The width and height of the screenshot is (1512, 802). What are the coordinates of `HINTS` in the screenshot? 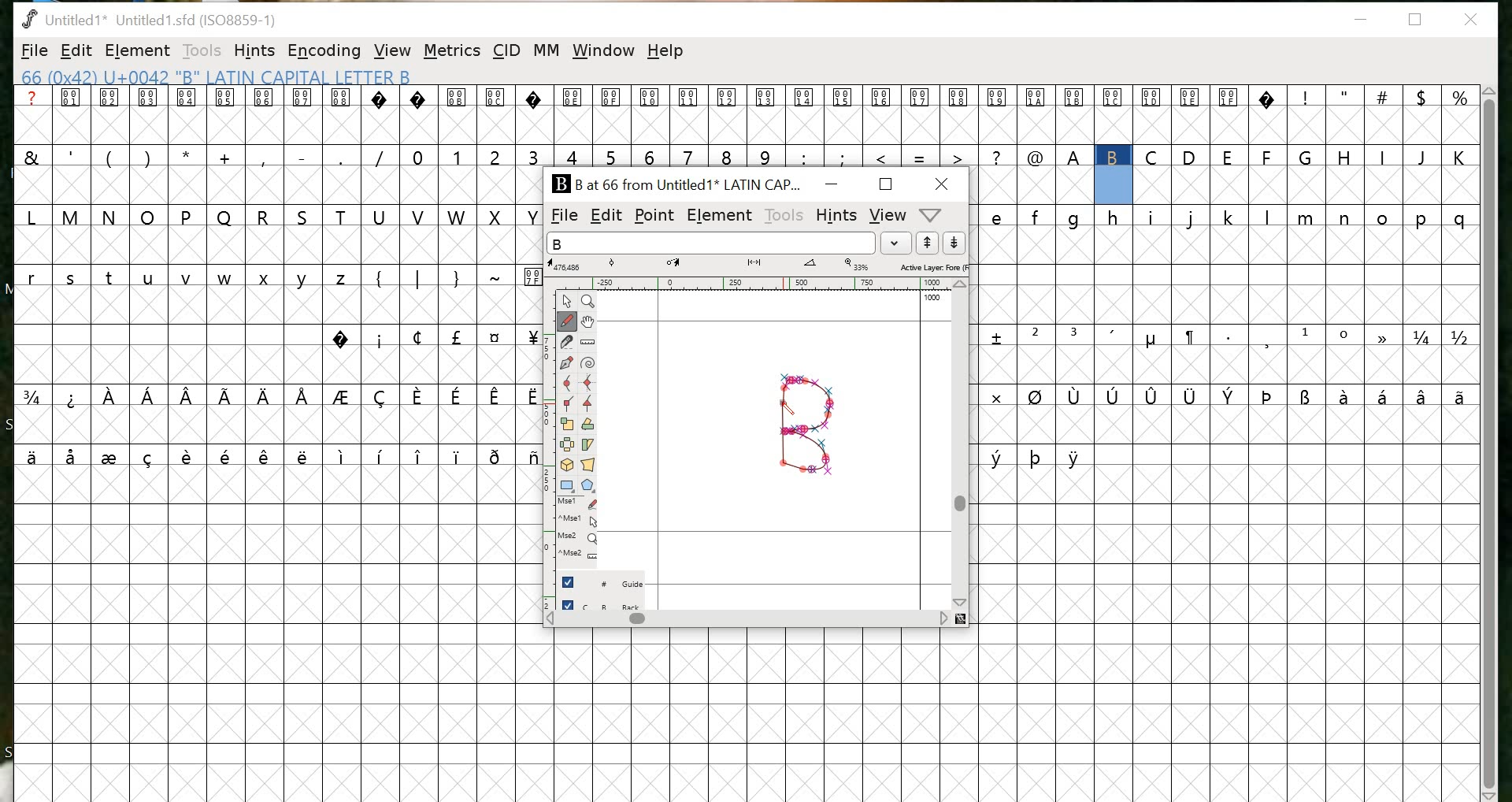 It's located at (254, 51).